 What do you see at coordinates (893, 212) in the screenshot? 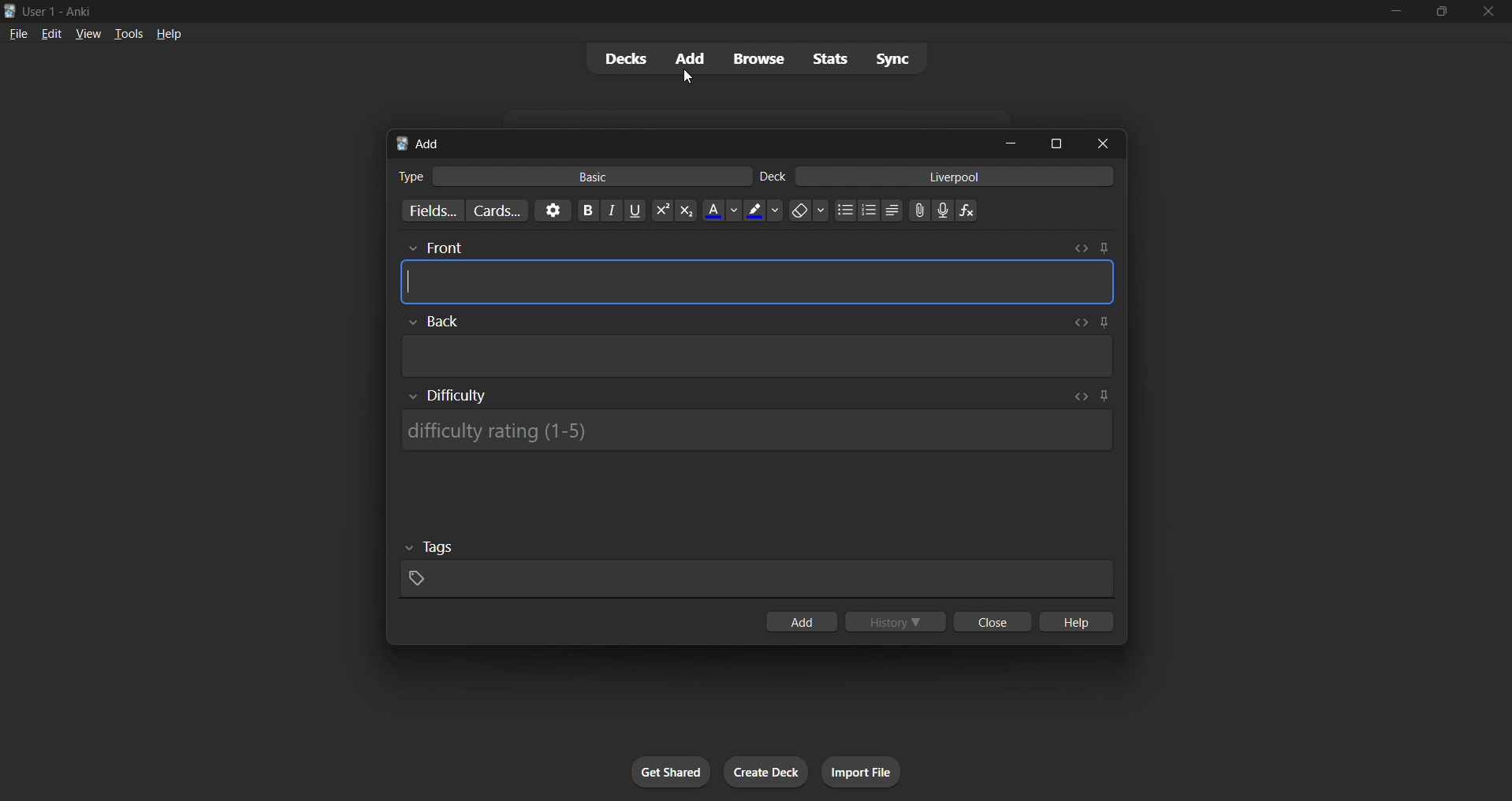
I see `multilevel list` at bounding box center [893, 212].